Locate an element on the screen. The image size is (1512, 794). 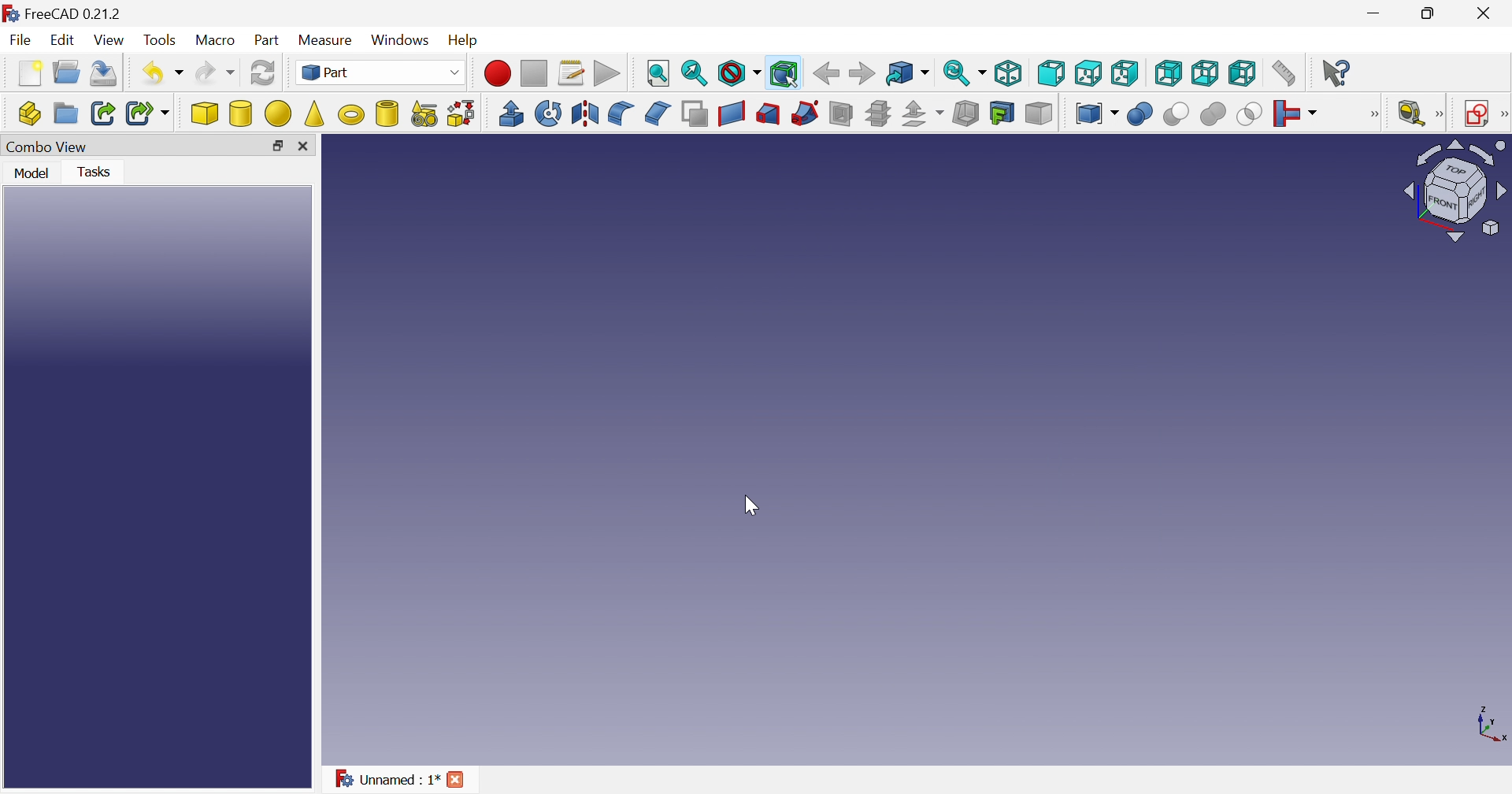
Bottom is located at coordinates (1205, 73).